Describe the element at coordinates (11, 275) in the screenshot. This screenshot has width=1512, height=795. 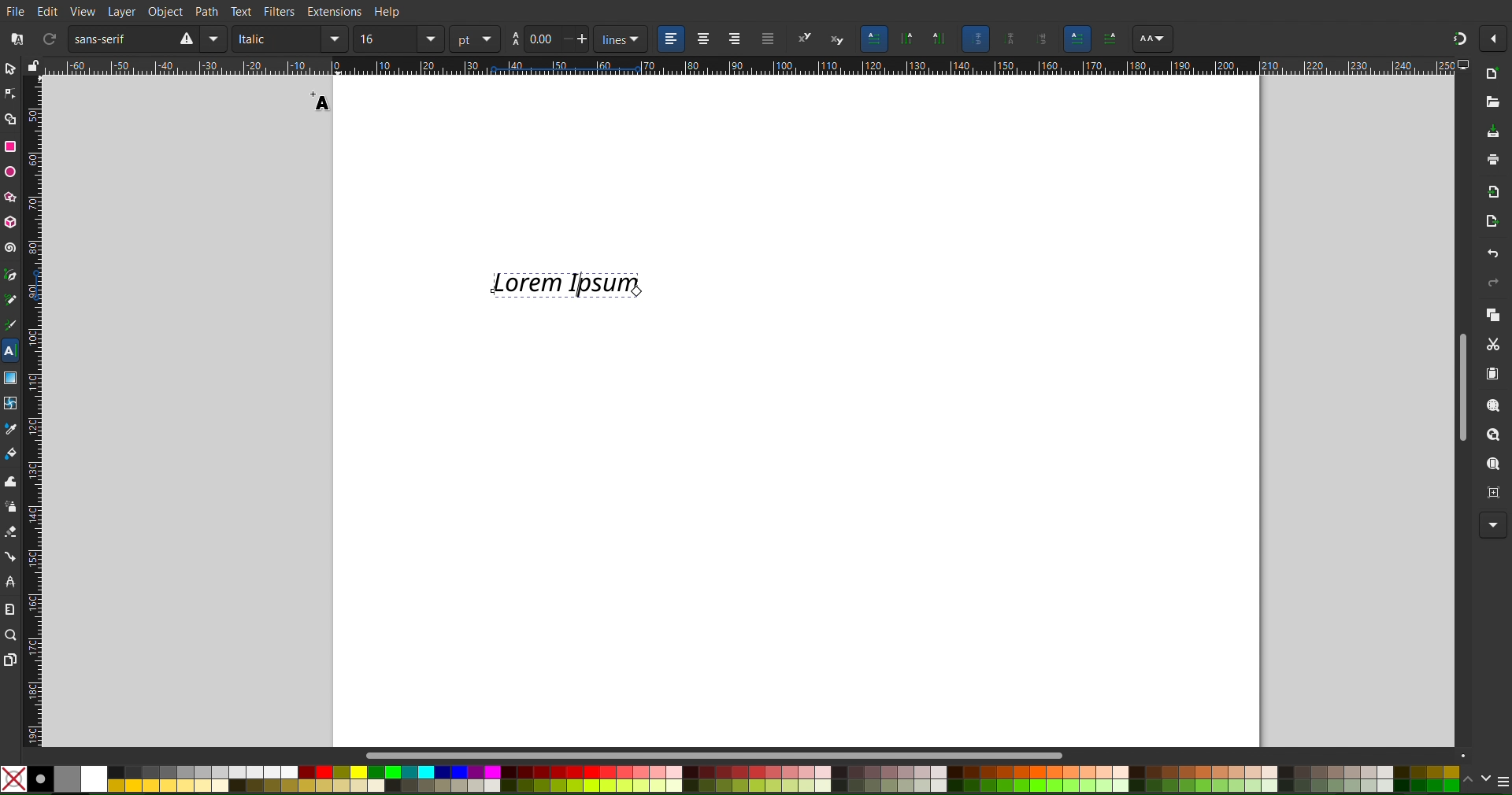
I see `Pen Tool` at that location.